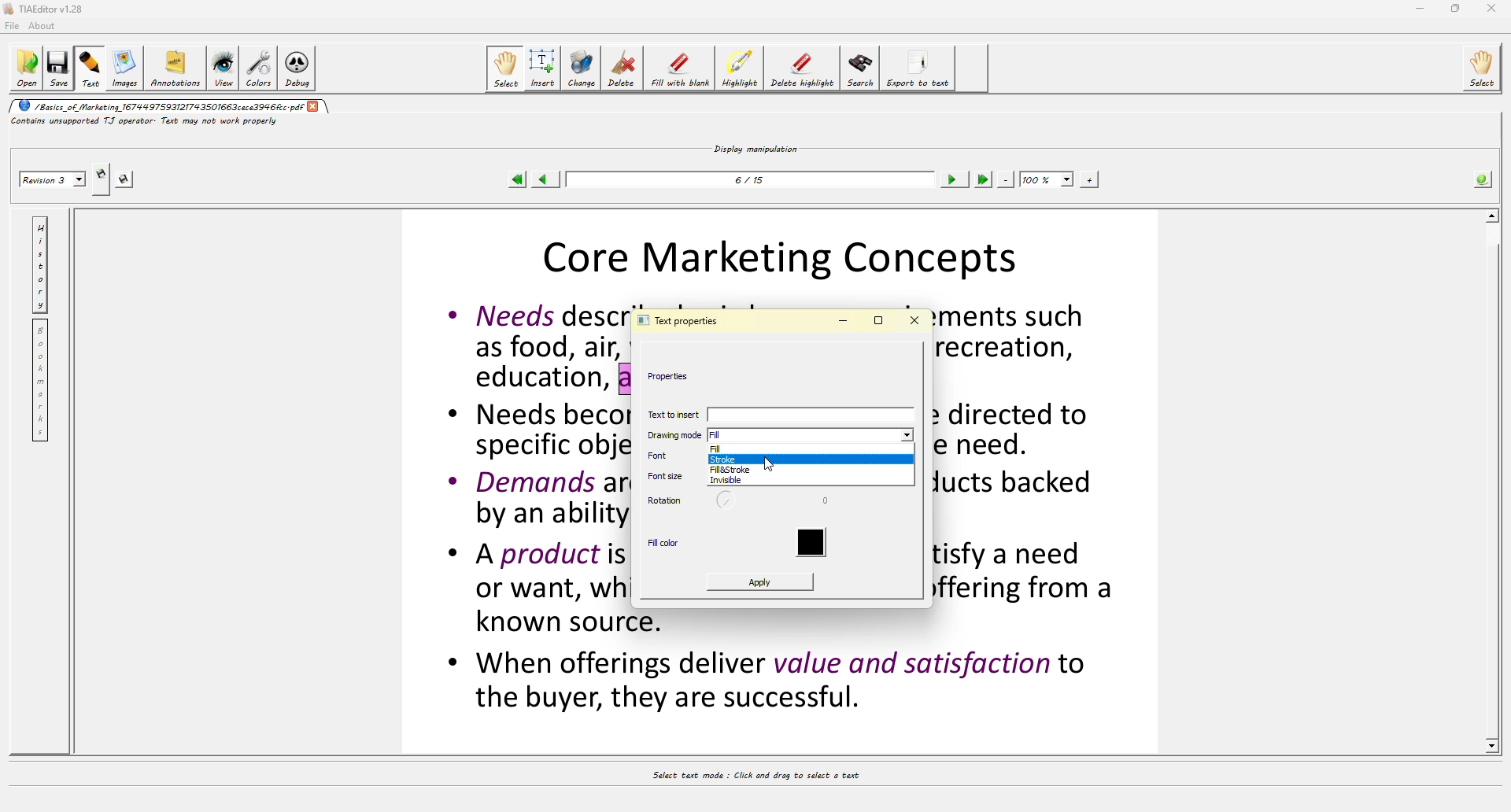  Describe the element at coordinates (257, 68) in the screenshot. I see `colors` at that location.